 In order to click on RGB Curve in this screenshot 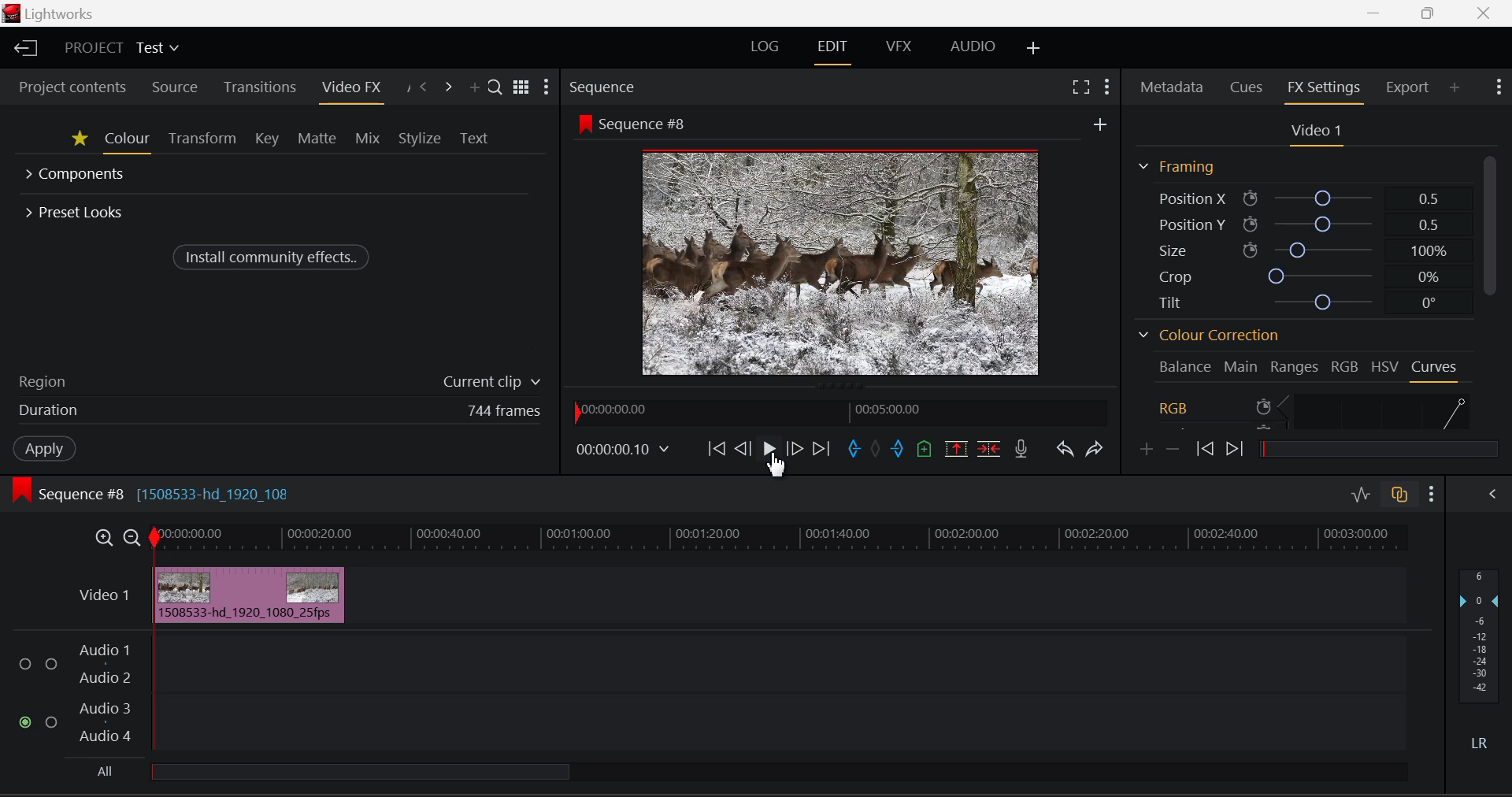, I will do `click(1314, 410)`.